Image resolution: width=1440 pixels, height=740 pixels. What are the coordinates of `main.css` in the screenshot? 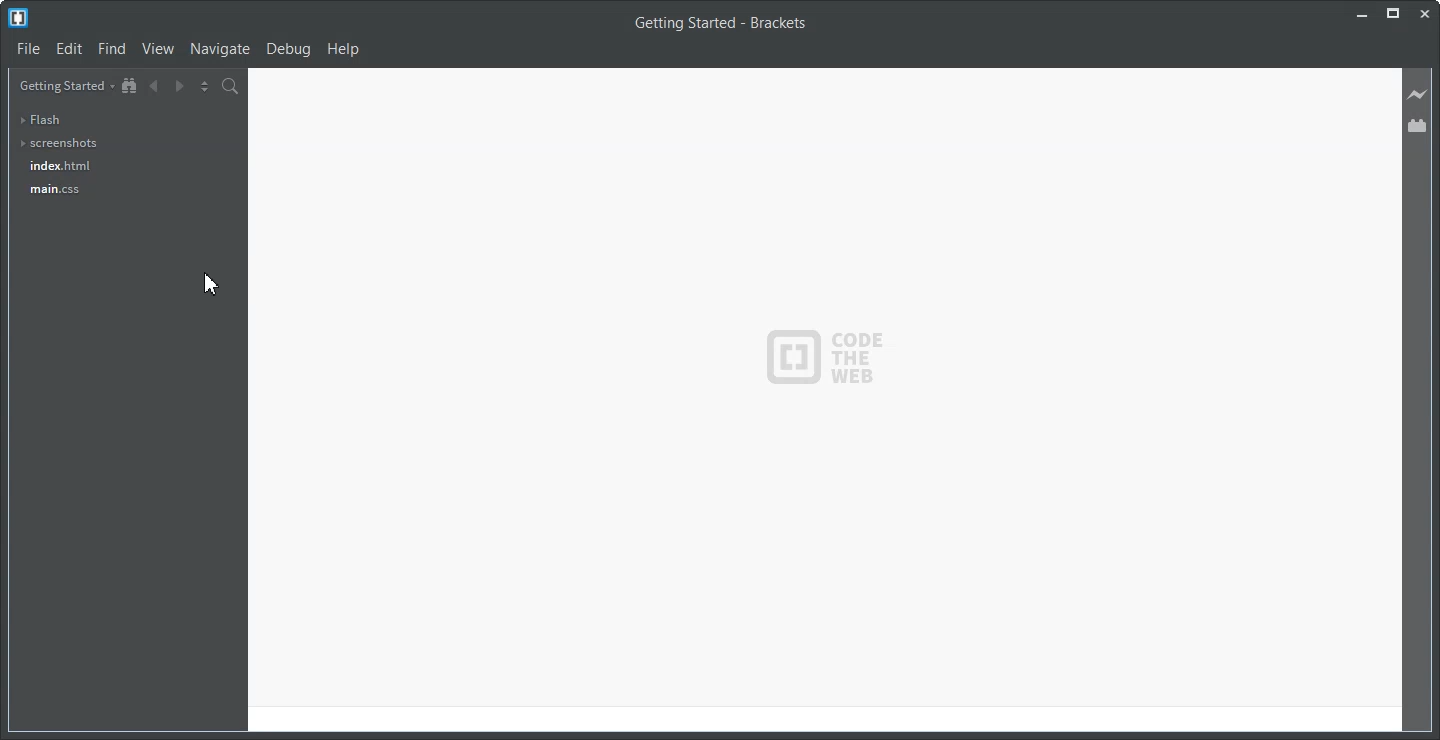 It's located at (55, 190).